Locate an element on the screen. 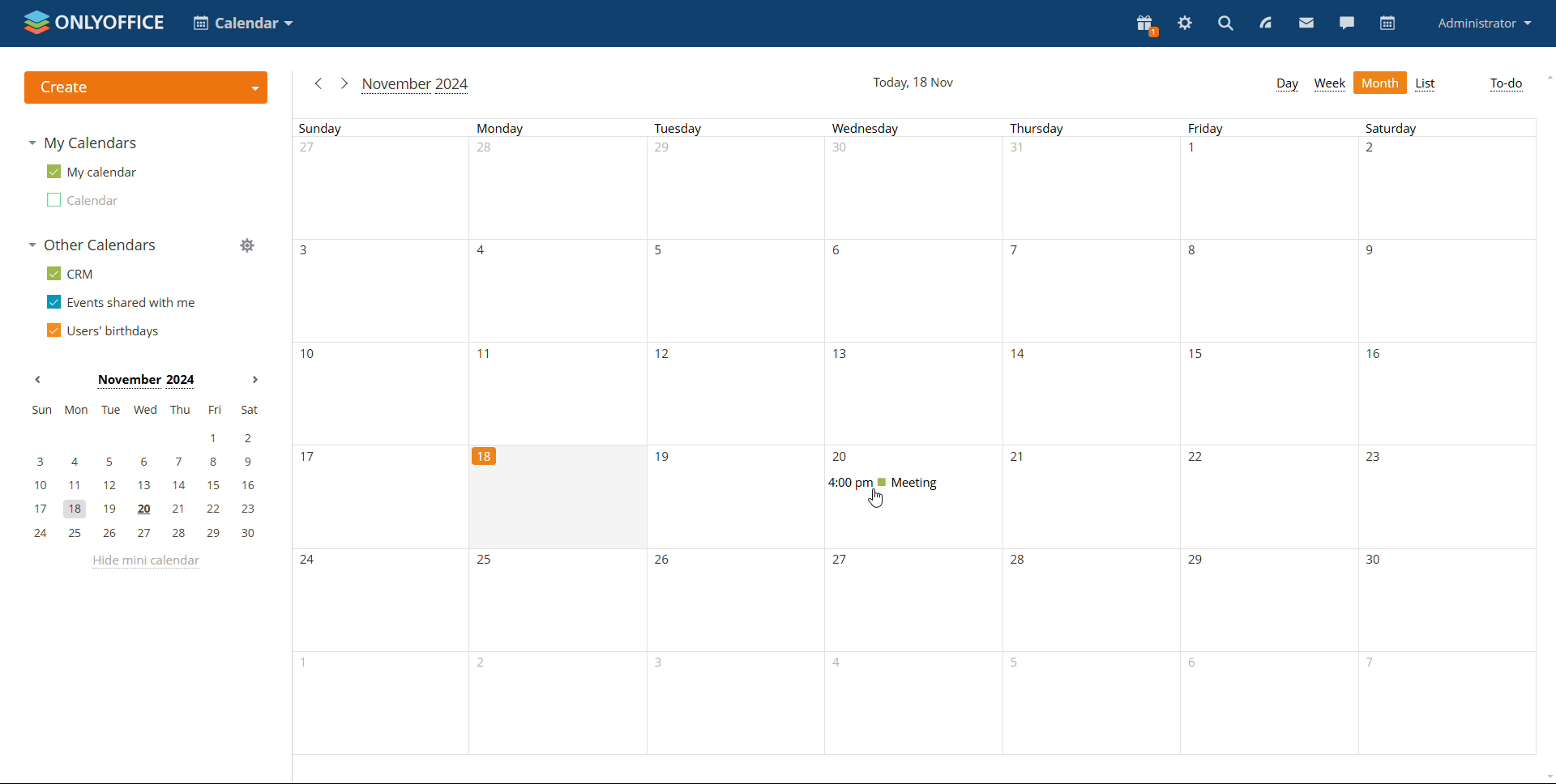 This screenshot has width=1556, height=784. previous month is located at coordinates (318, 83).